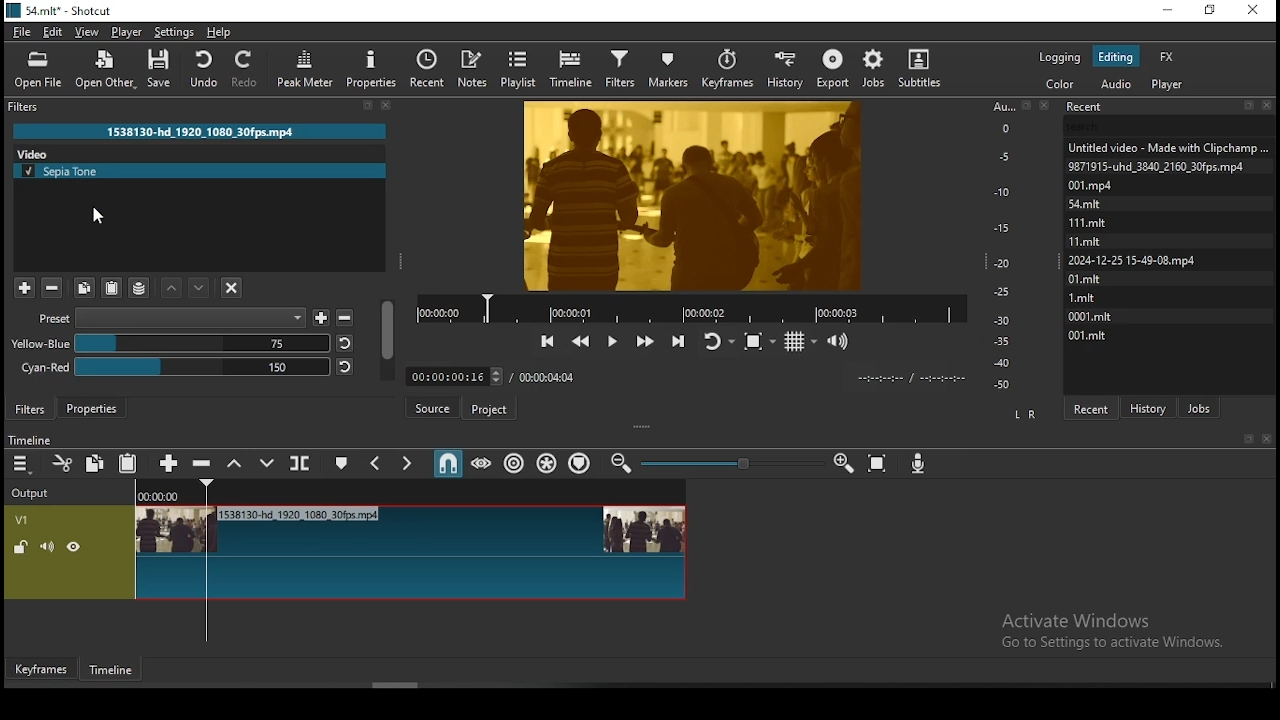 Image resolution: width=1280 pixels, height=720 pixels. I want to click on search, so click(161, 152).